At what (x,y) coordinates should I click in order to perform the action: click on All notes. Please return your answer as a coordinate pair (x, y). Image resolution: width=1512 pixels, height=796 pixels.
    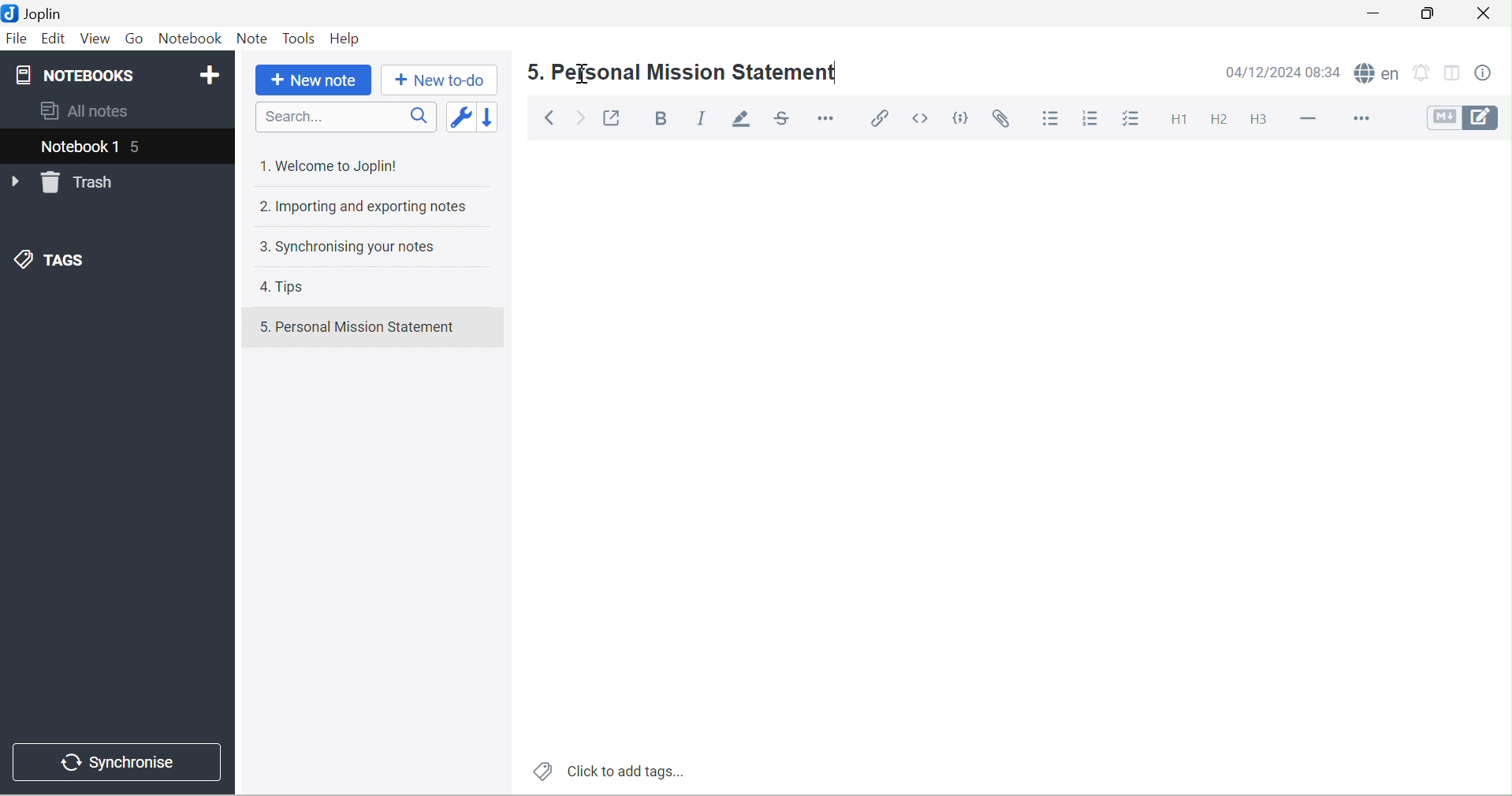
    Looking at the image, I should click on (88, 112).